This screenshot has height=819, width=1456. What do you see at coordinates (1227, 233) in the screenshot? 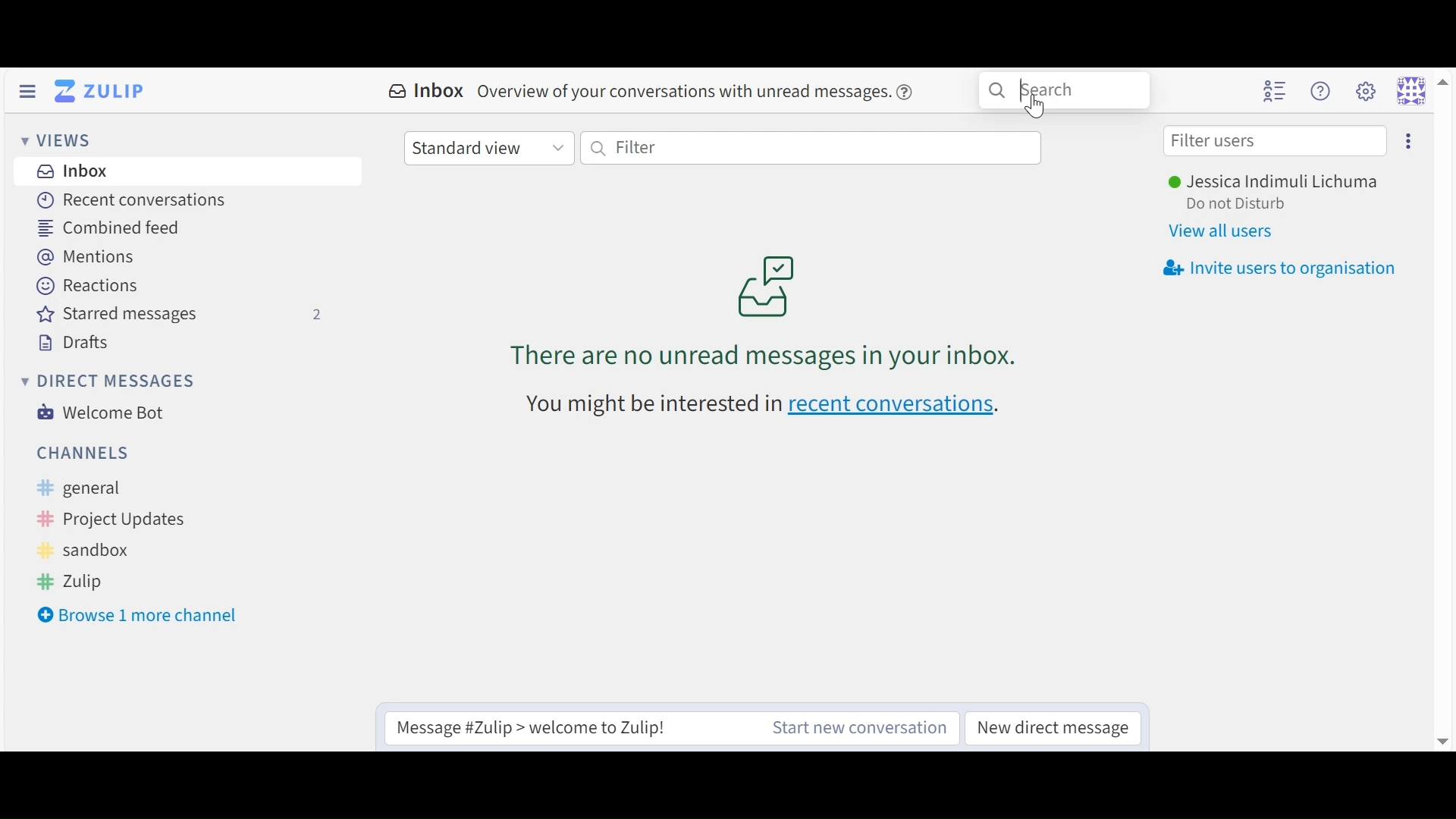
I see `View all users` at bounding box center [1227, 233].